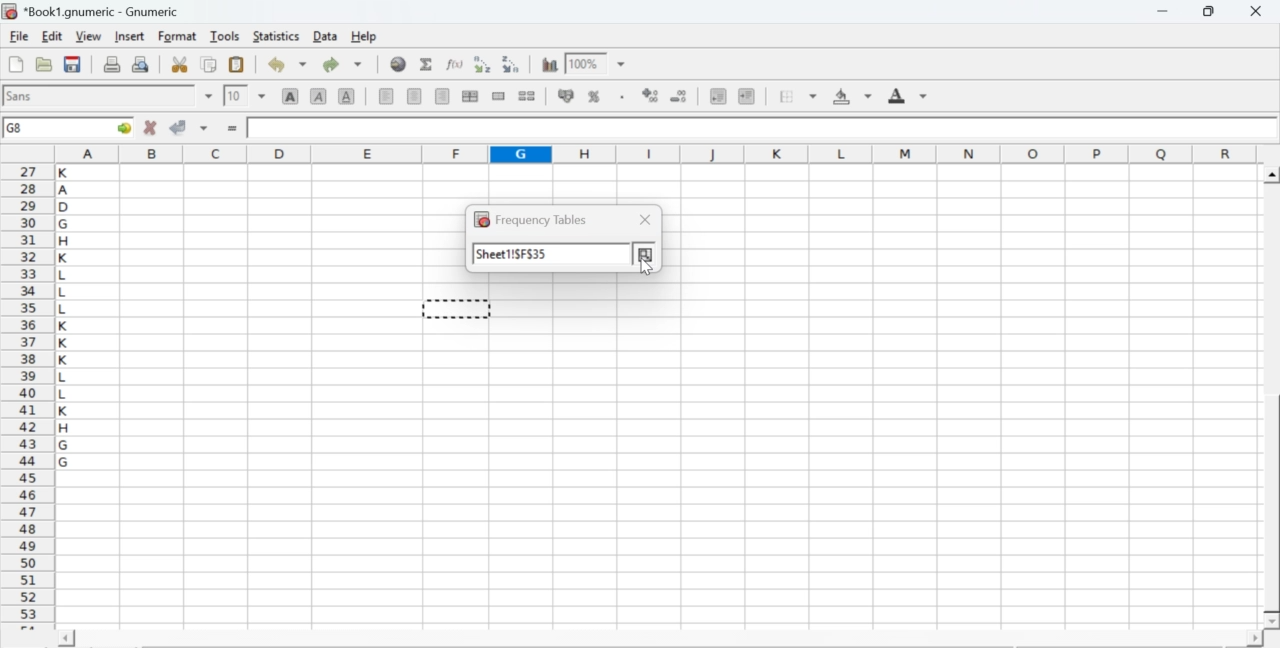  Describe the element at coordinates (908, 95) in the screenshot. I see `foreground` at that location.